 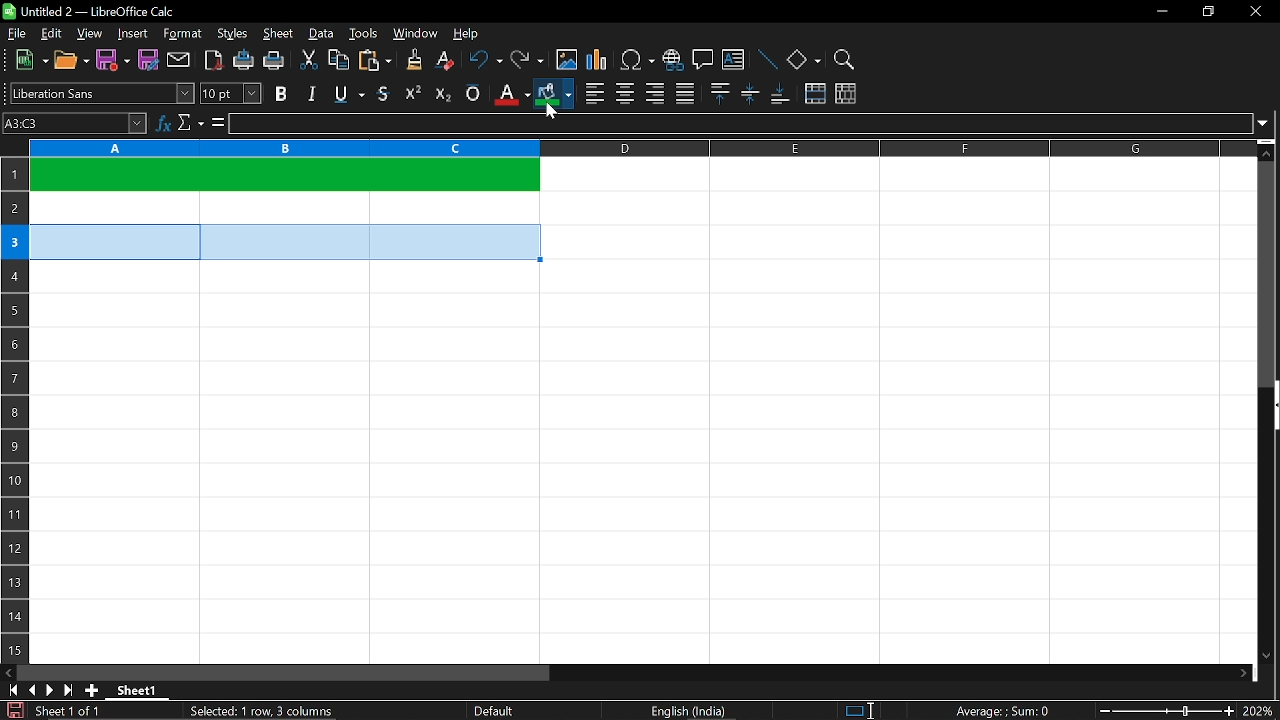 What do you see at coordinates (473, 94) in the screenshot?
I see `overline` at bounding box center [473, 94].